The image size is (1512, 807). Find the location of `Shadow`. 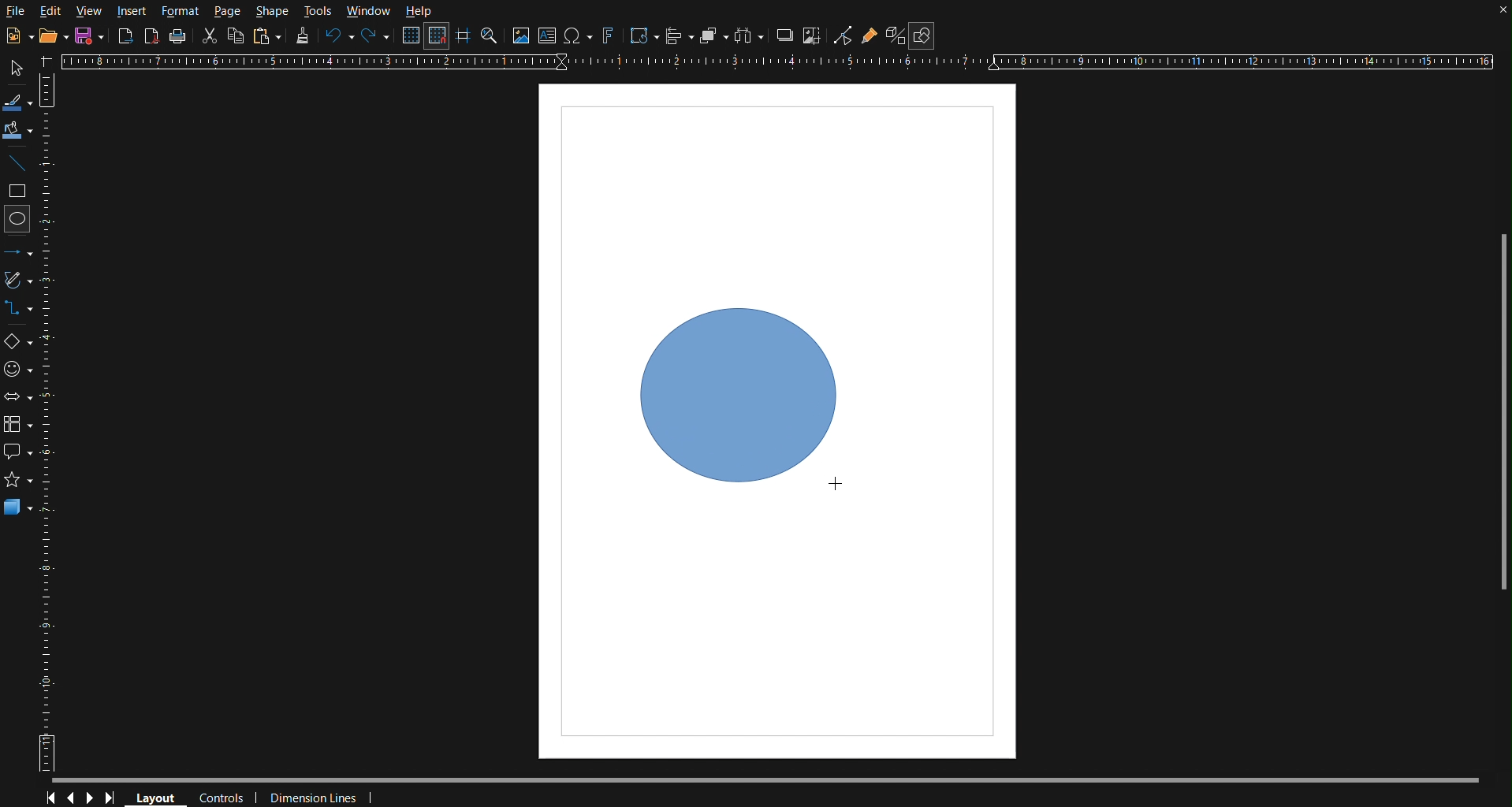

Shadow is located at coordinates (785, 36).